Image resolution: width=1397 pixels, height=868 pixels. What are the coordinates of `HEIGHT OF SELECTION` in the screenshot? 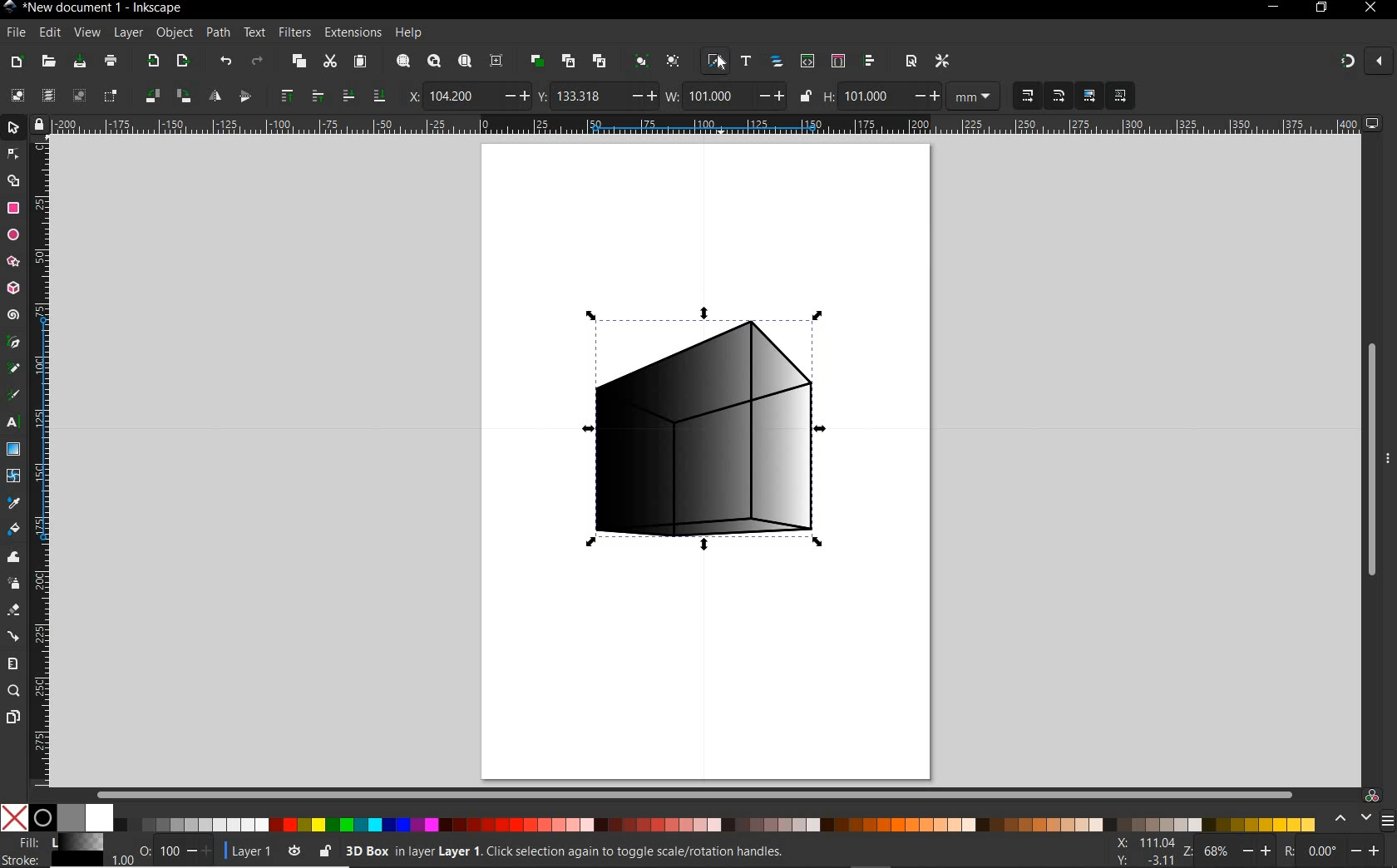 It's located at (830, 96).